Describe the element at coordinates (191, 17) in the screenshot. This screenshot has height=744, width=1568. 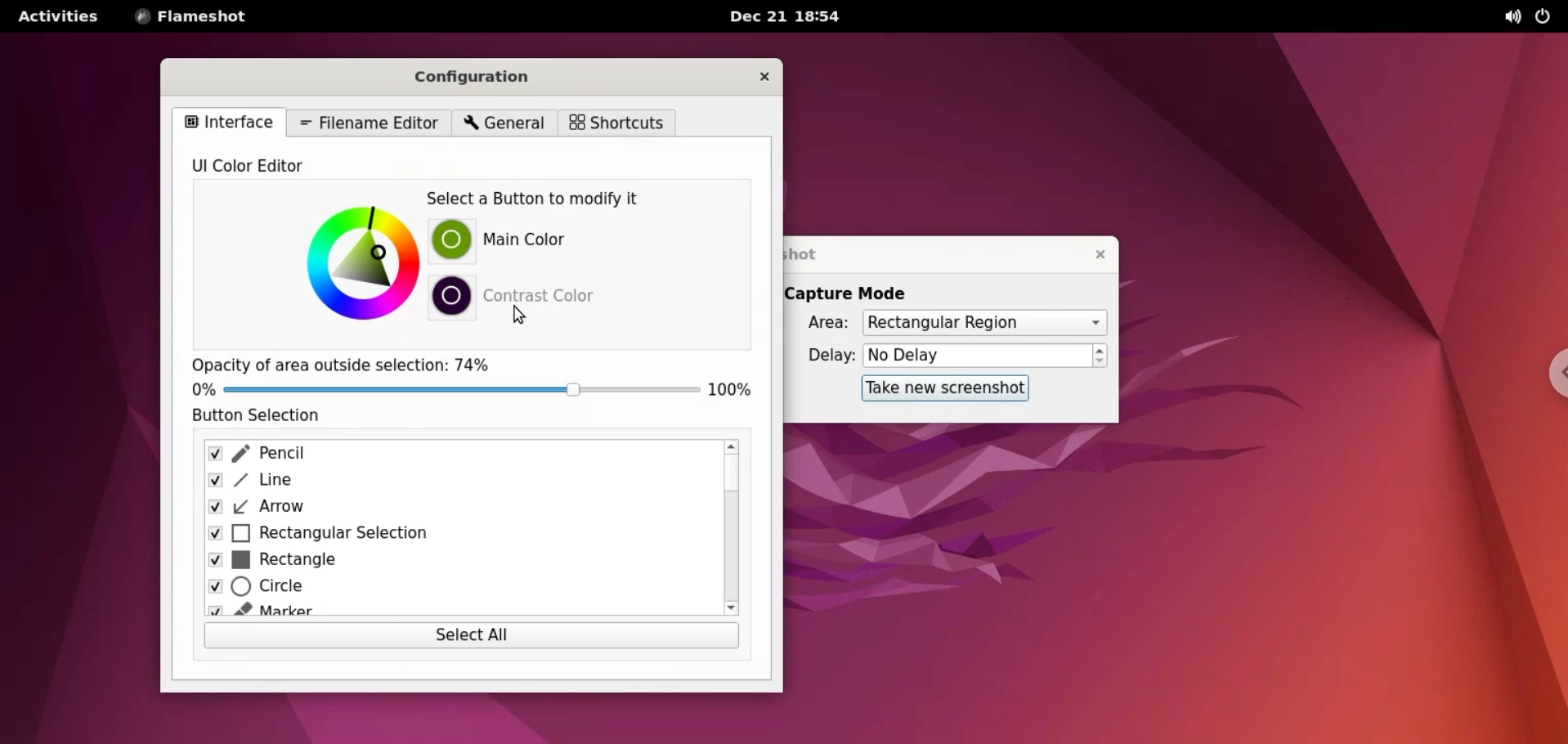
I see `flameshot options` at that location.